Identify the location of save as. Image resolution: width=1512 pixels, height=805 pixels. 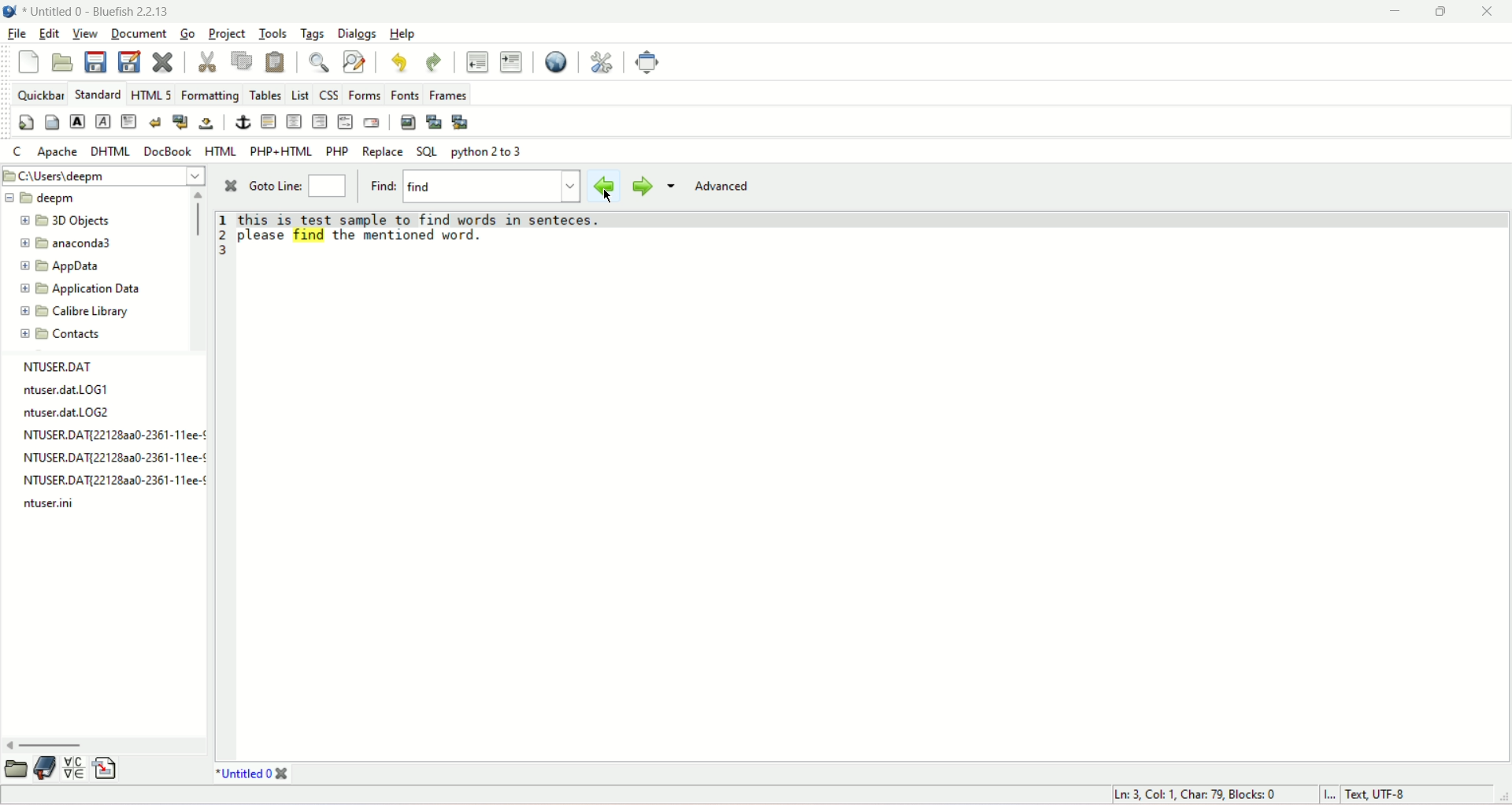
(130, 63).